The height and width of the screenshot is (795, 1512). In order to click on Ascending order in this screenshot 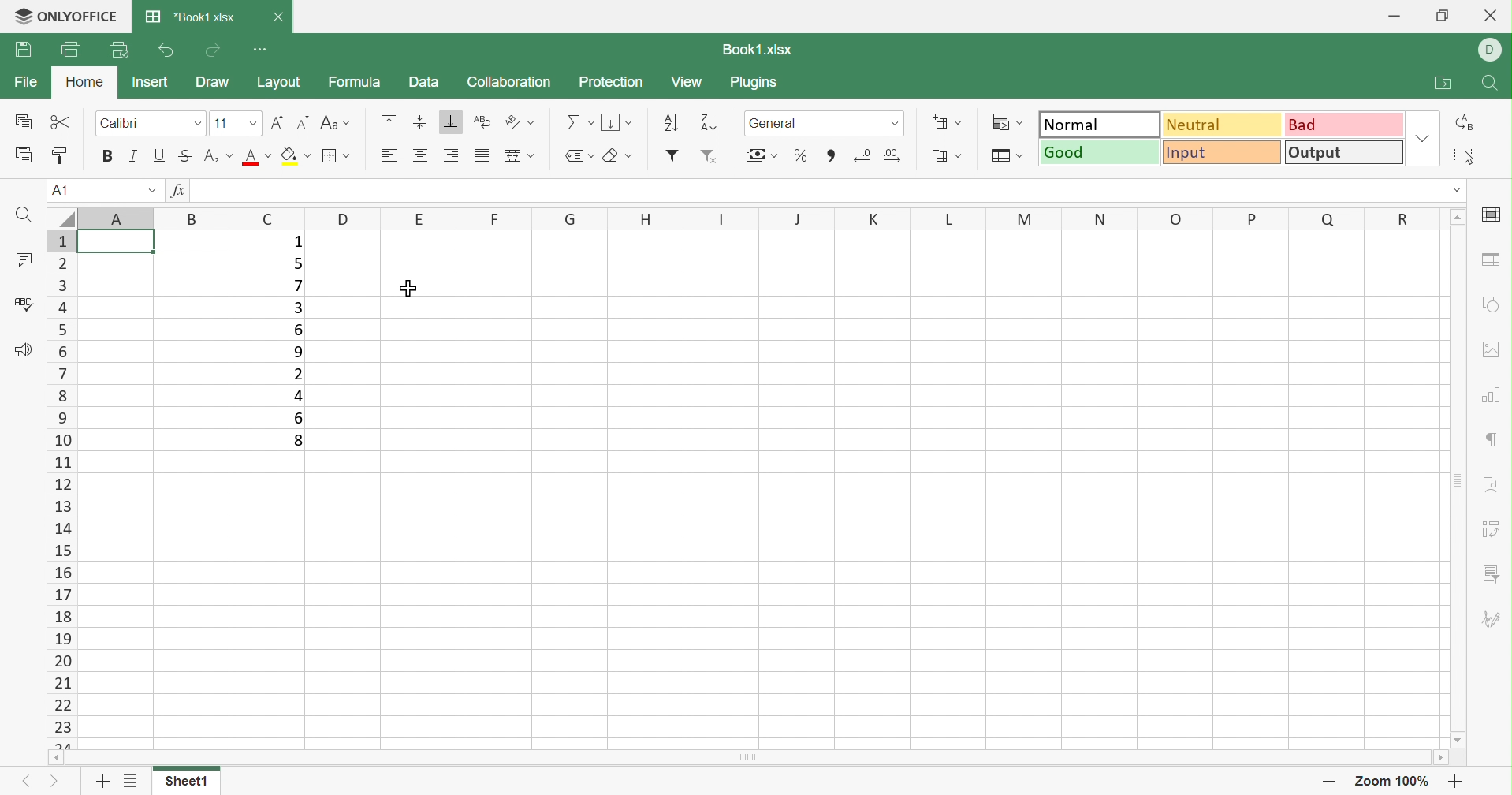, I will do `click(669, 123)`.